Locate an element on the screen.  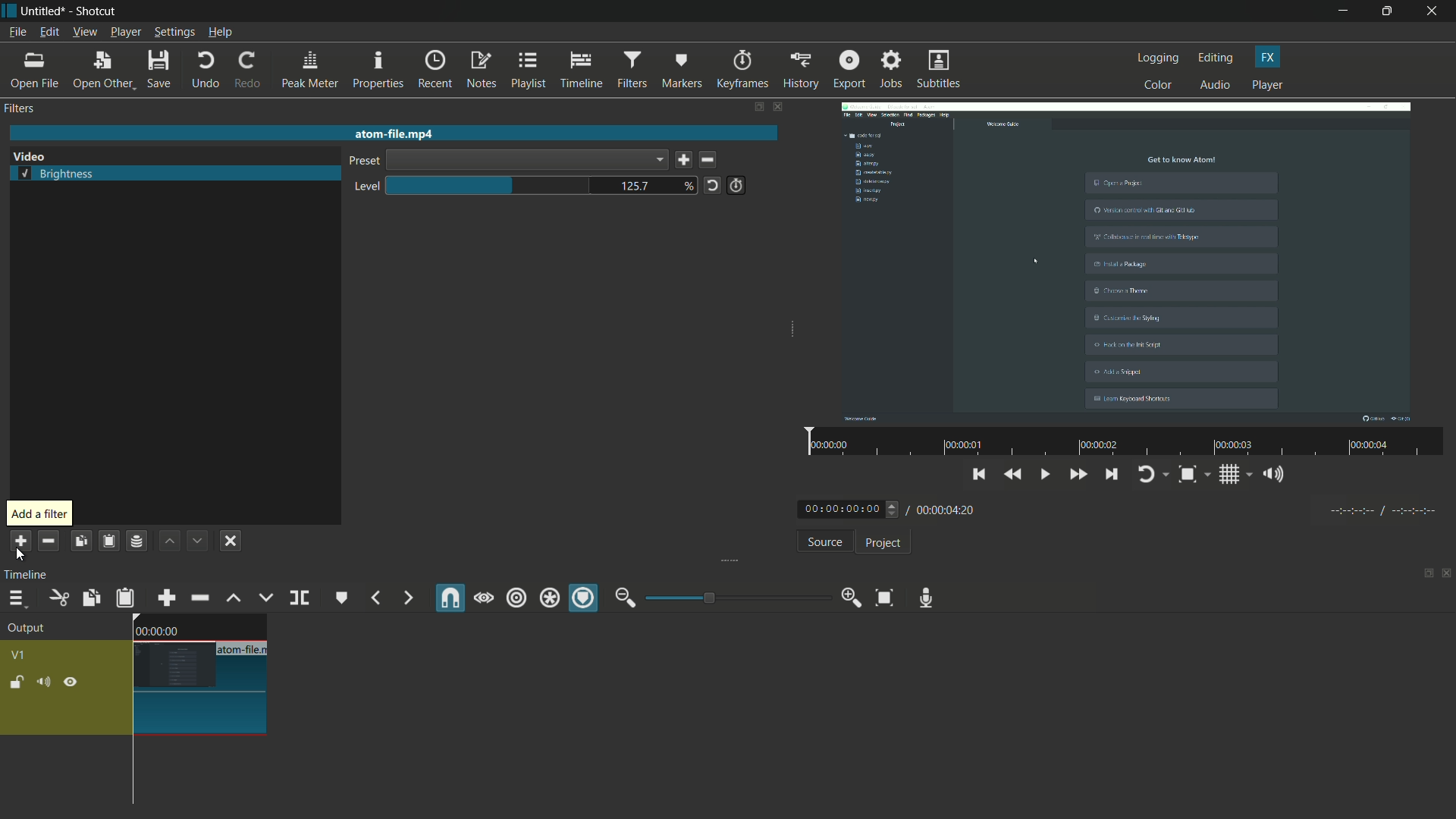
color is located at coordinates (1159, 84).